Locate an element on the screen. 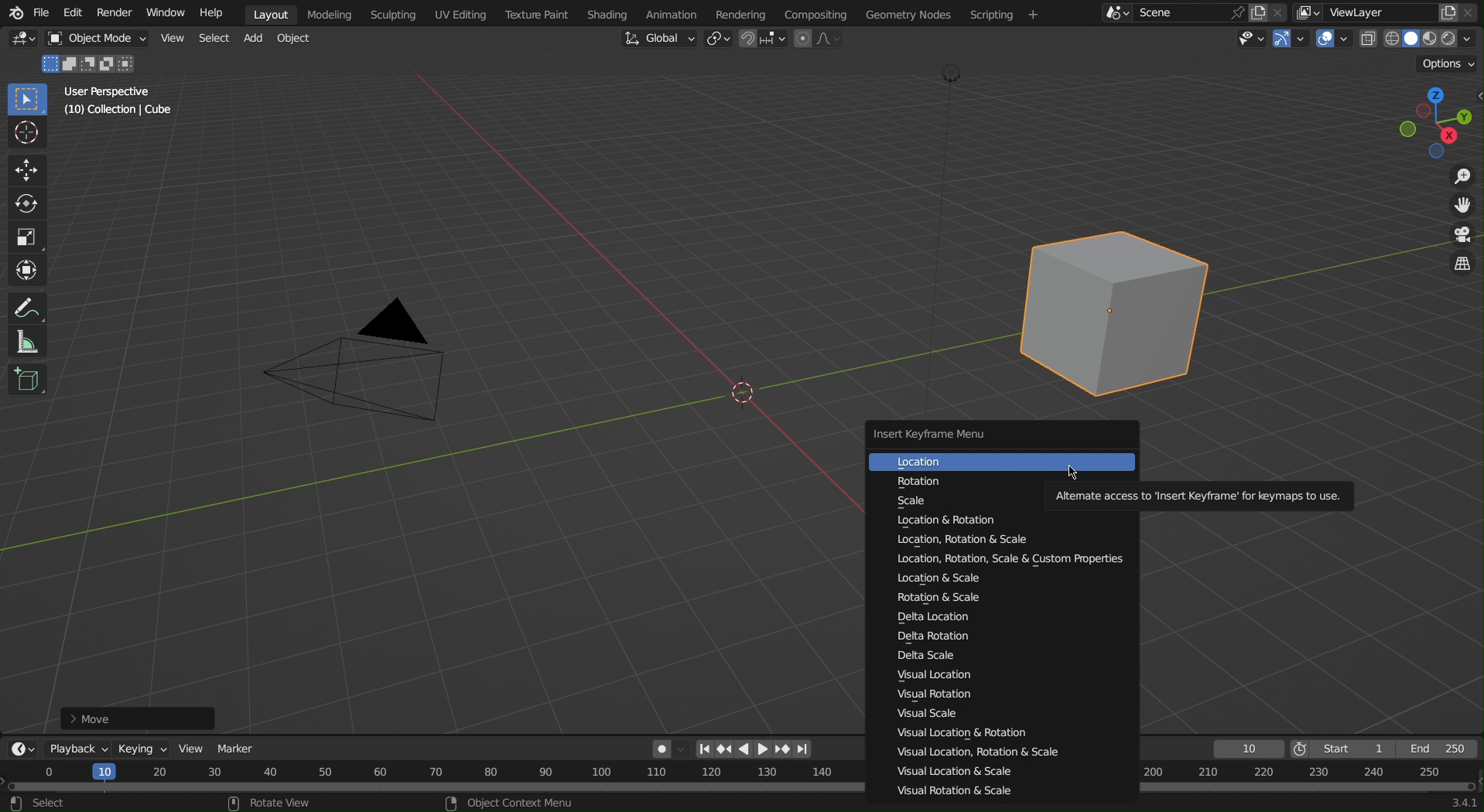 This screenshot has width=1484, height=812. View is located at coordinates (174, 39).